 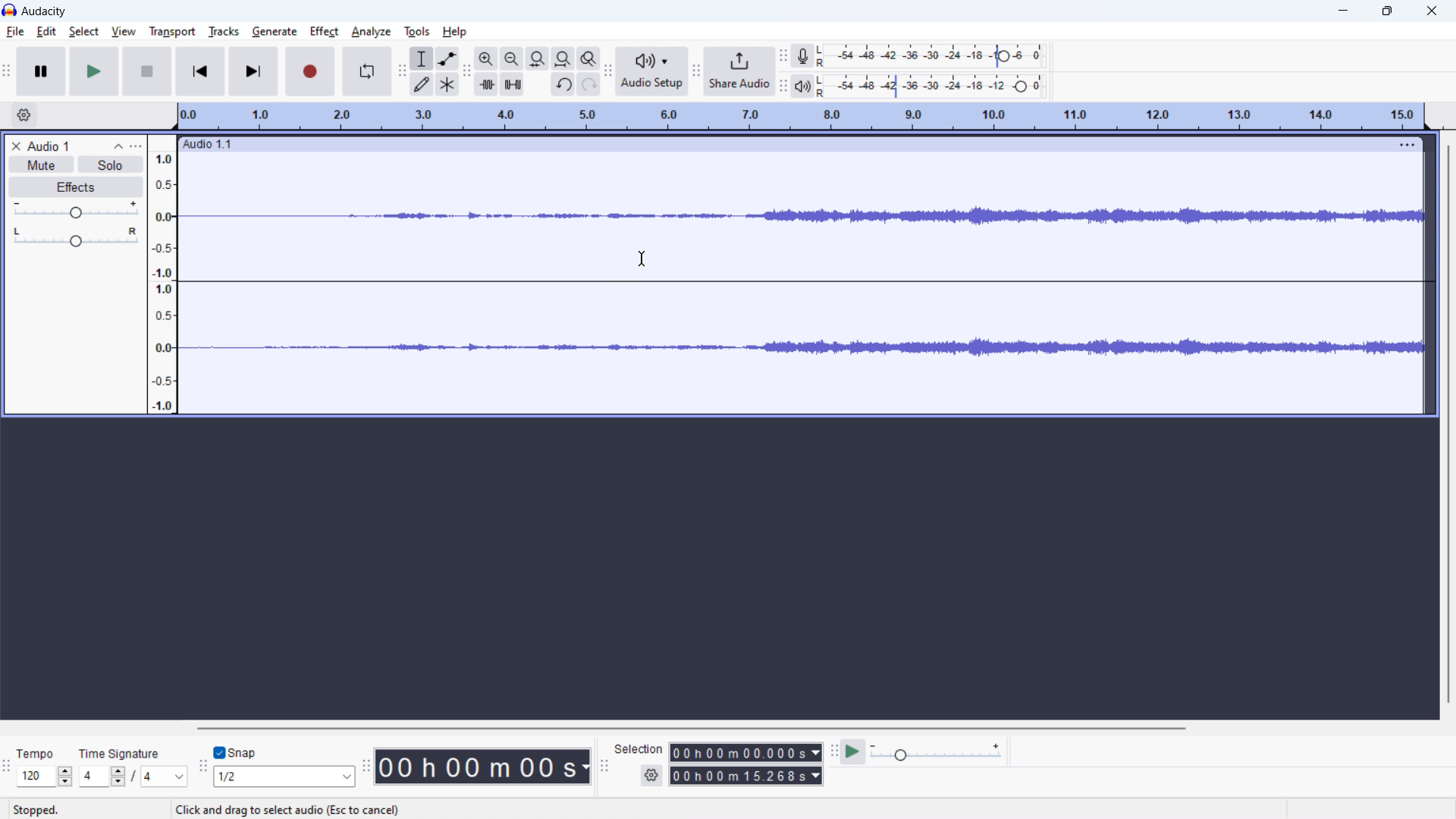 What do you see at coordinates (416, 32) in the screenshot?
I see `tools` at bounding box center [416, 32].